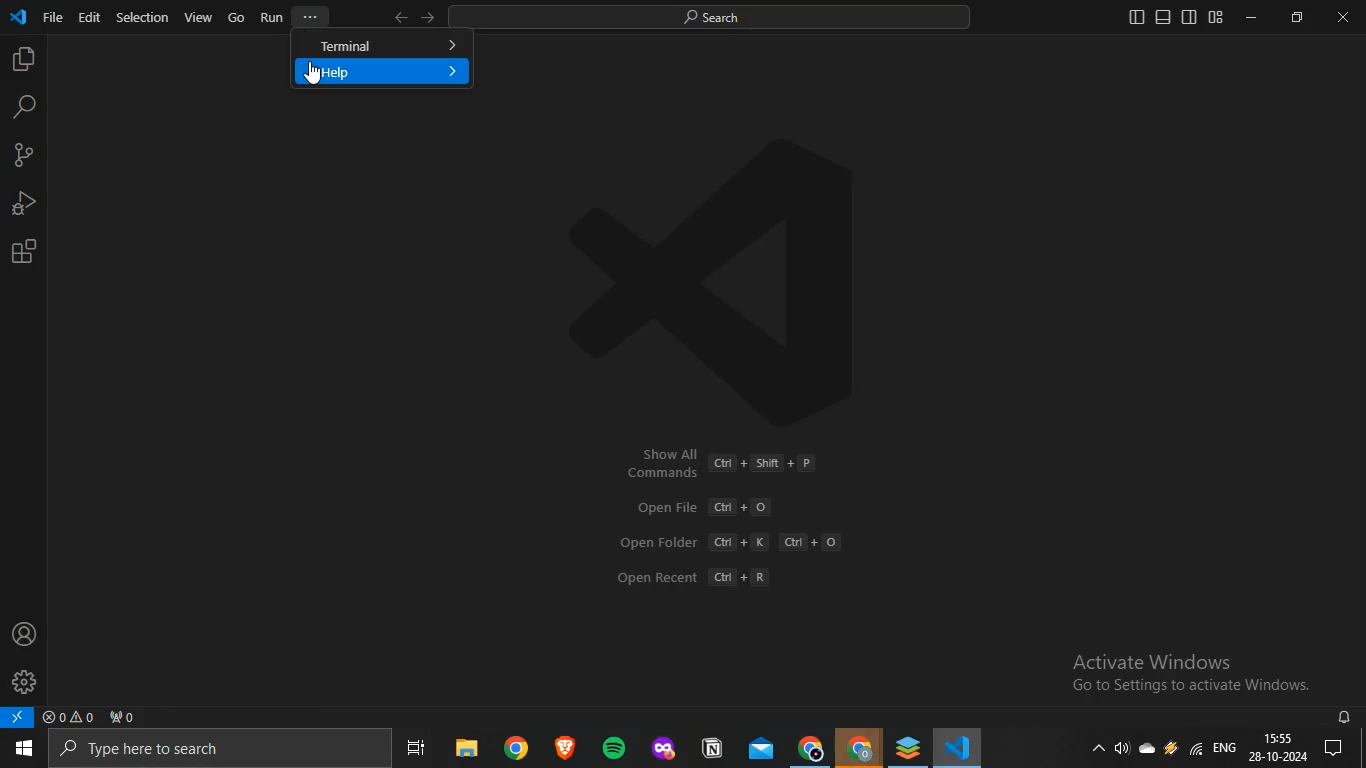 This screenshot has width=1366, height=768. Describe the element at coordinates (1225, 747) in the screenshot. I see `english` at that location.